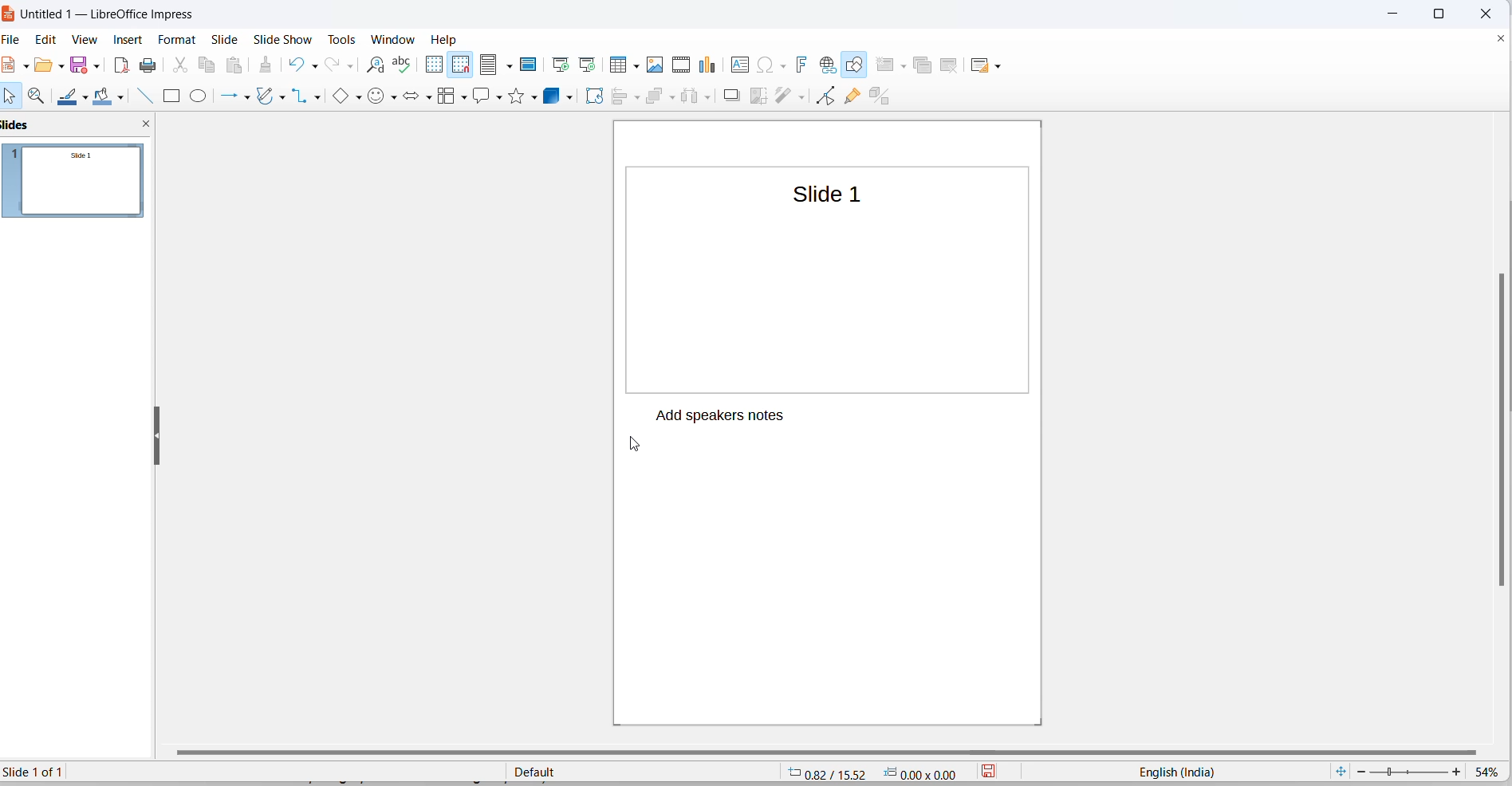  Describe the element at coordinates (96, 65) in the screenshot. I see `save options` at that location.